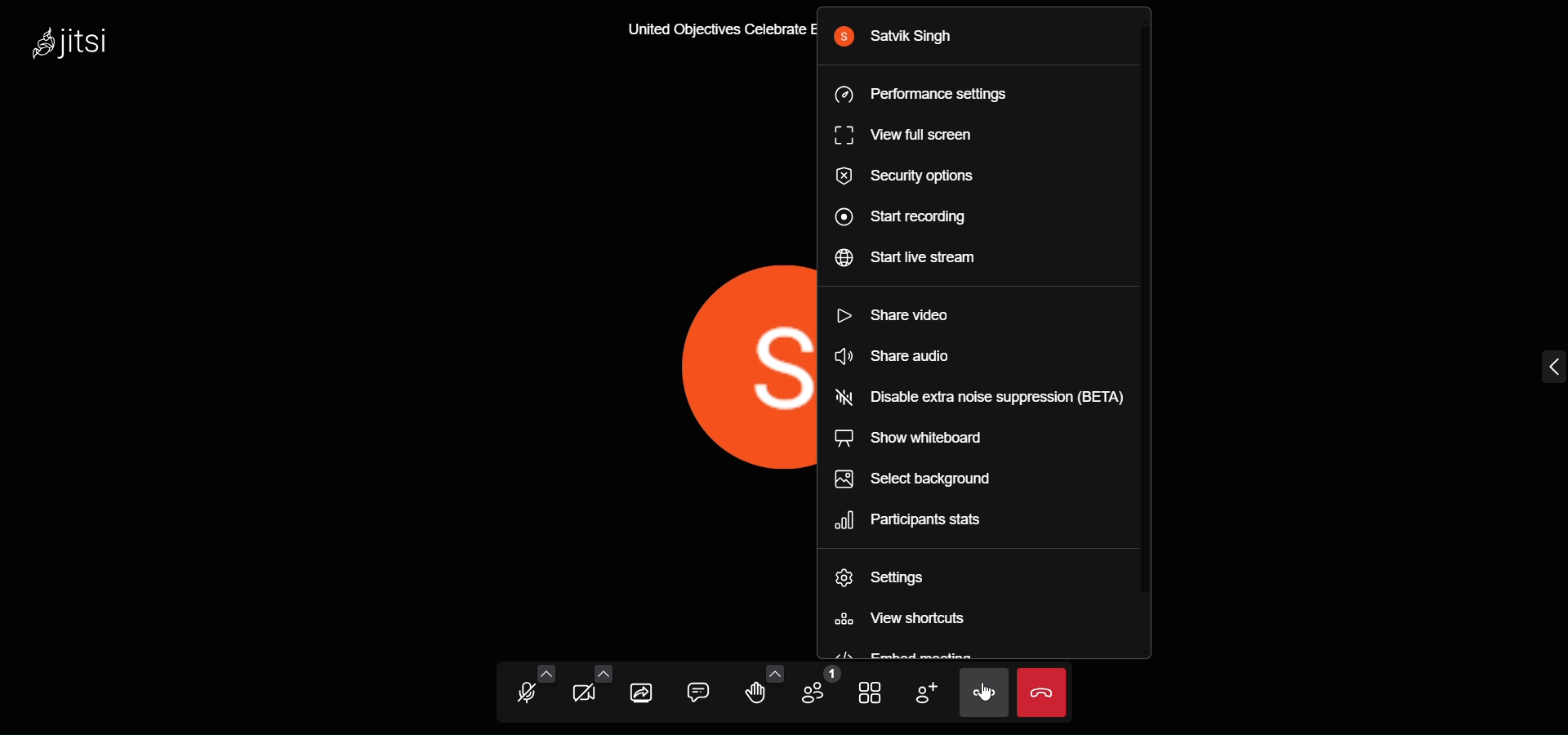  I want to click on chat, so click(699, 693).